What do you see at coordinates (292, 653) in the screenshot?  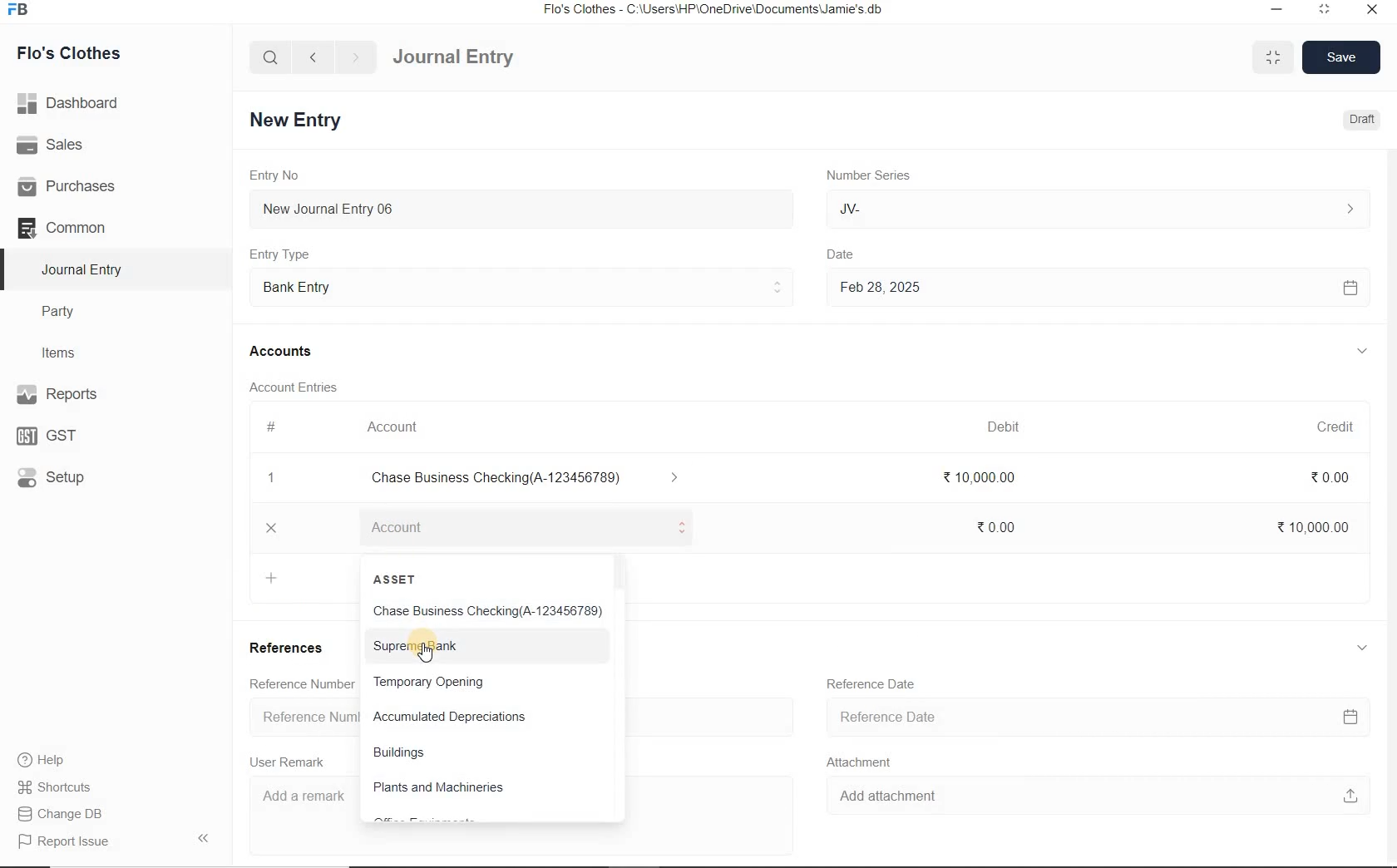 I see `References` at bounding box center [292, 653].